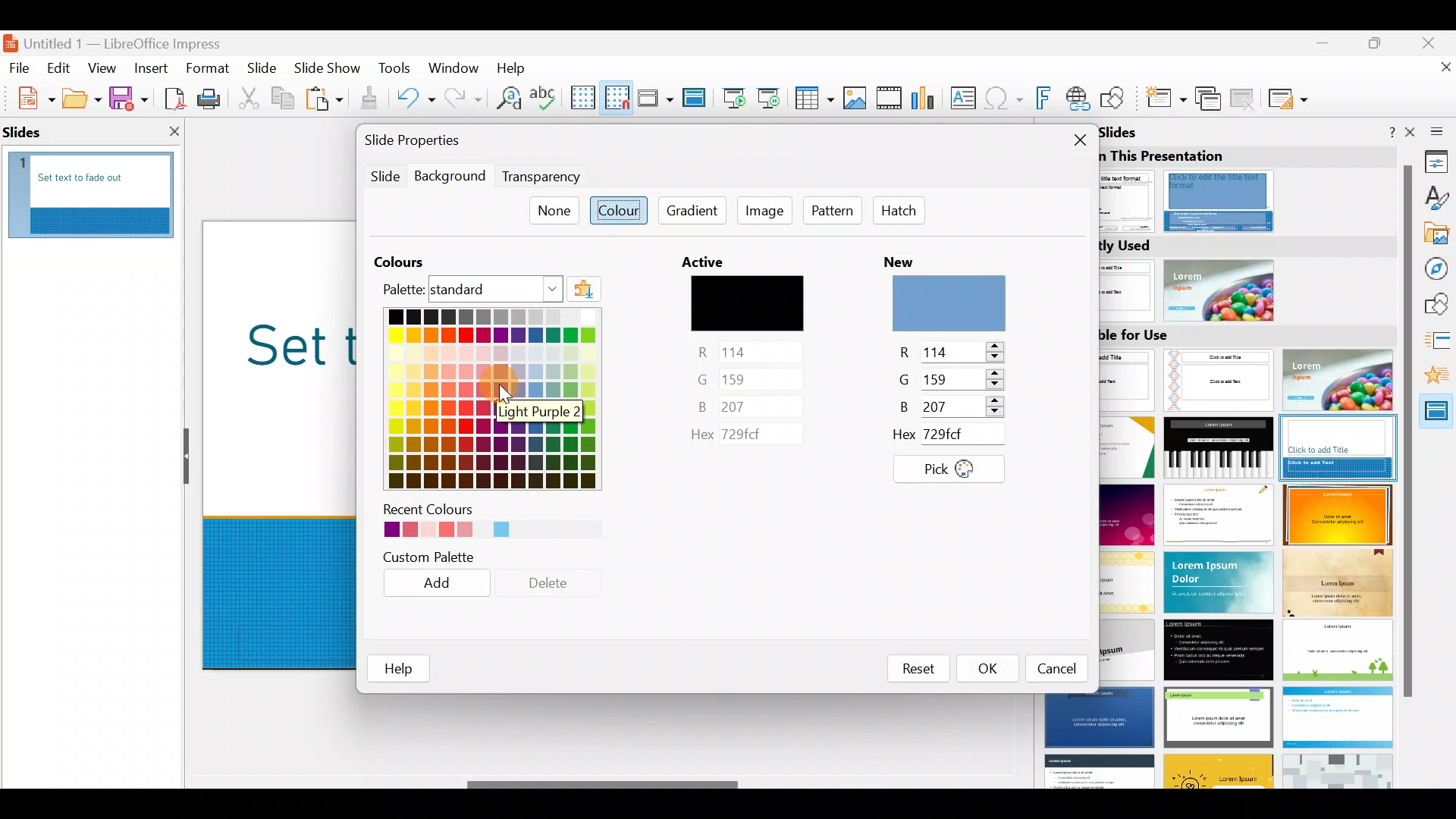 This screenshot has height=819, width=1456. Describe the element at coordinates (213, 100) in the screenshot. I see `Print` at that location.